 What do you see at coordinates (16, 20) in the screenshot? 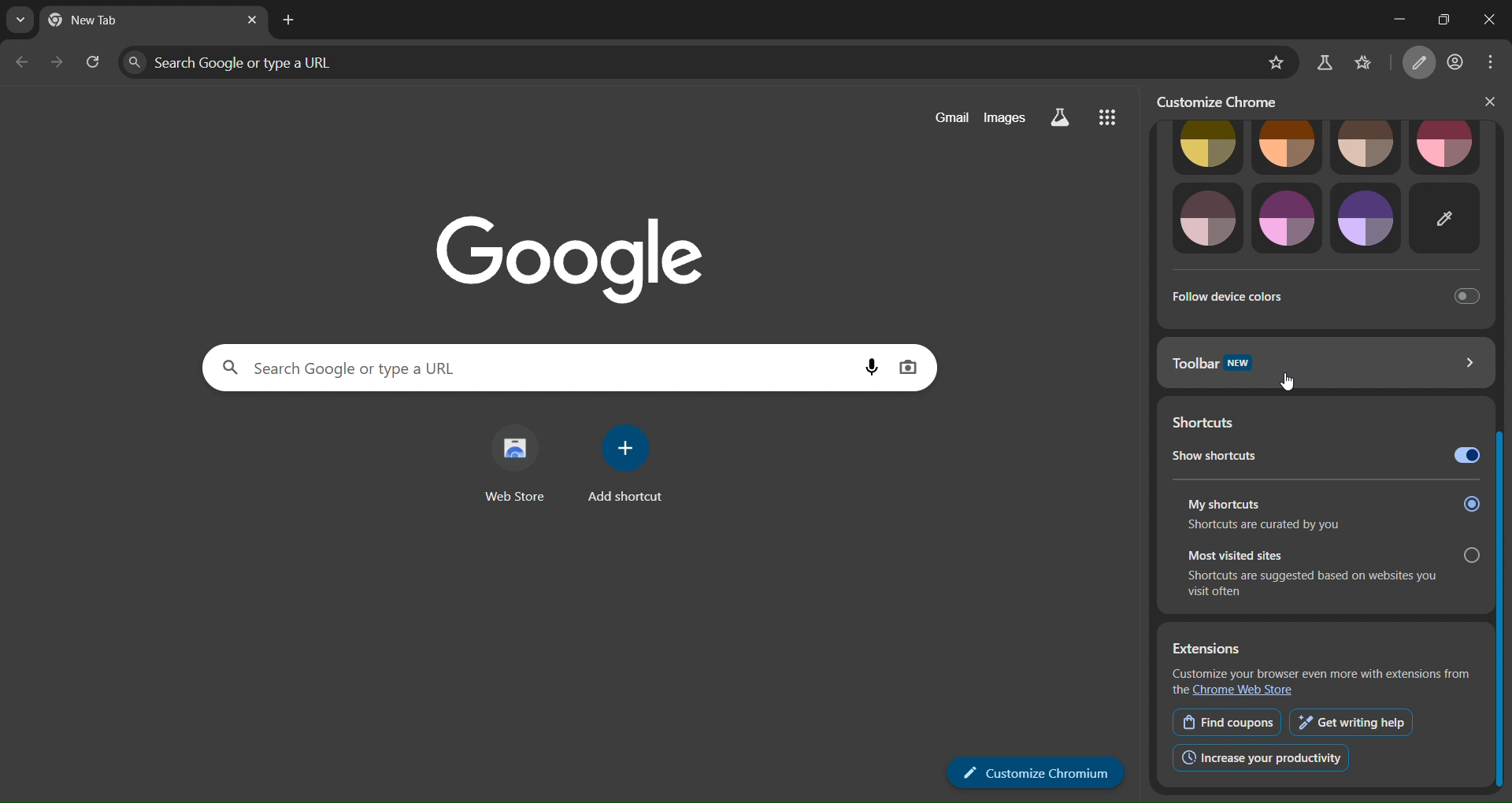
I see `search tabs` at bounding box center [16, 20].